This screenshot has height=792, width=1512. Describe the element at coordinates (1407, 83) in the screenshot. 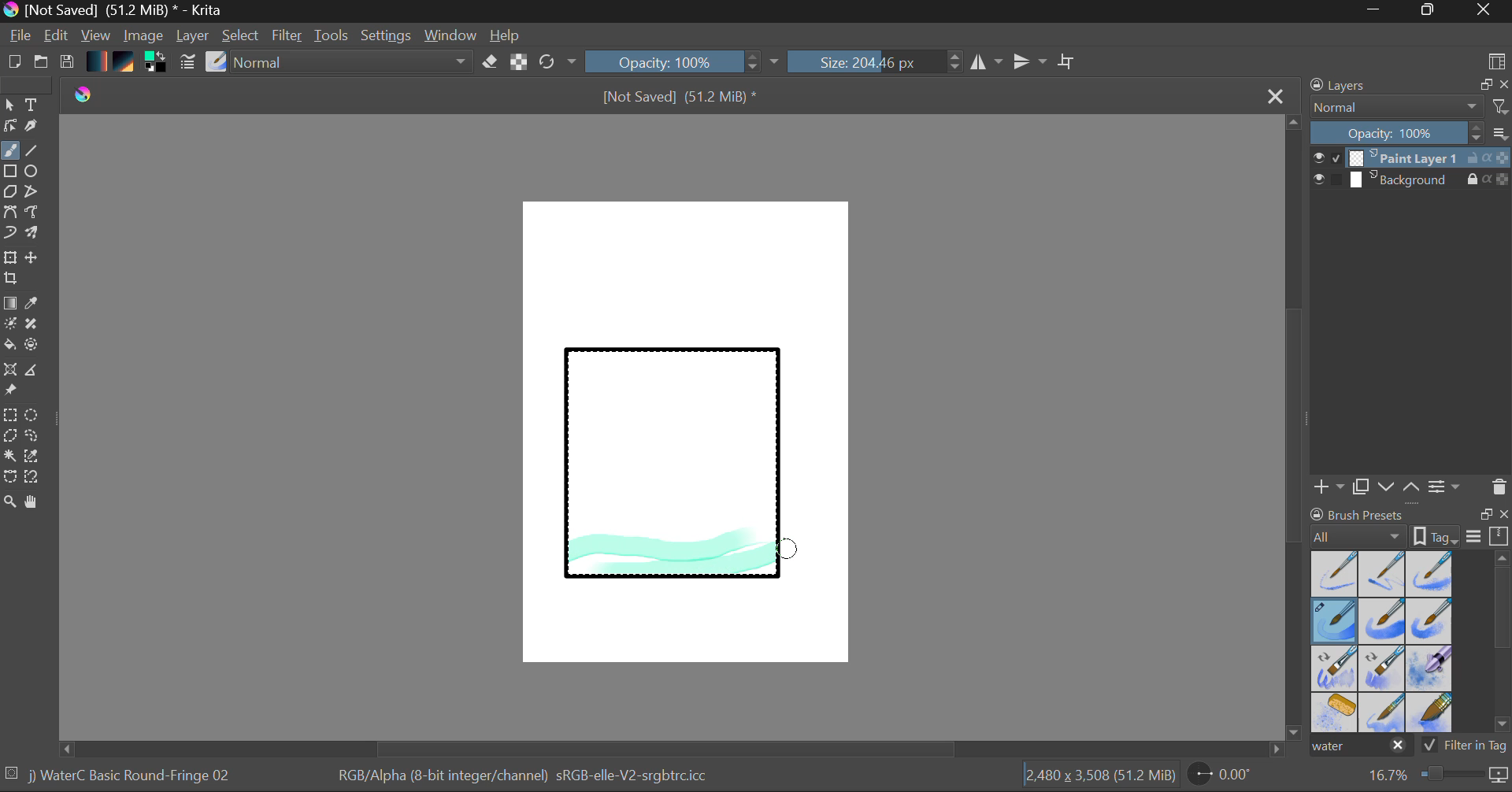

I see `Layers Docket Tab` at that location.